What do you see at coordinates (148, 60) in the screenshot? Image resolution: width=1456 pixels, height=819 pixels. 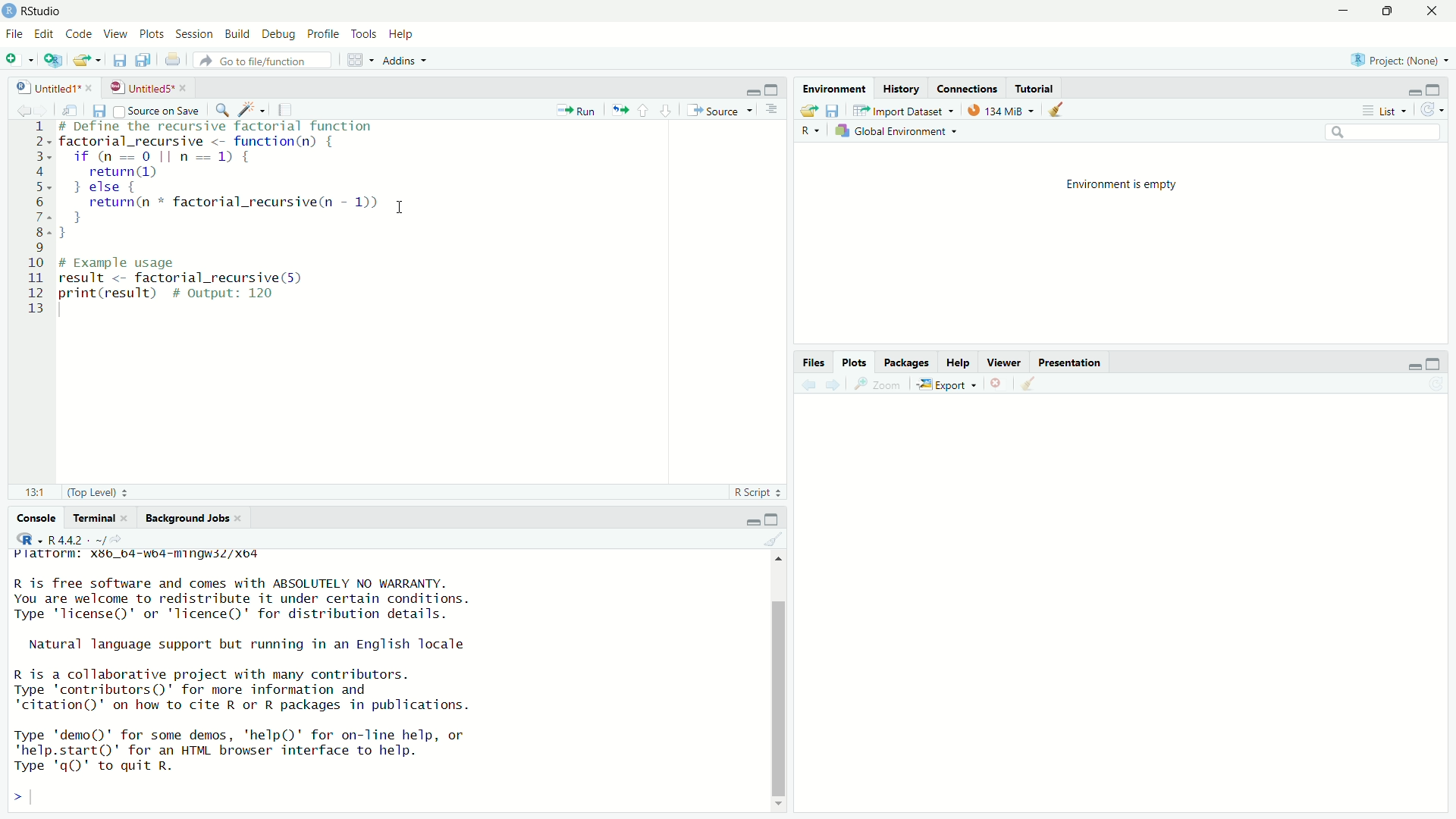 I see `Save all open documents (Ctrl + Alt + S)` at bounding box center [148, 60].